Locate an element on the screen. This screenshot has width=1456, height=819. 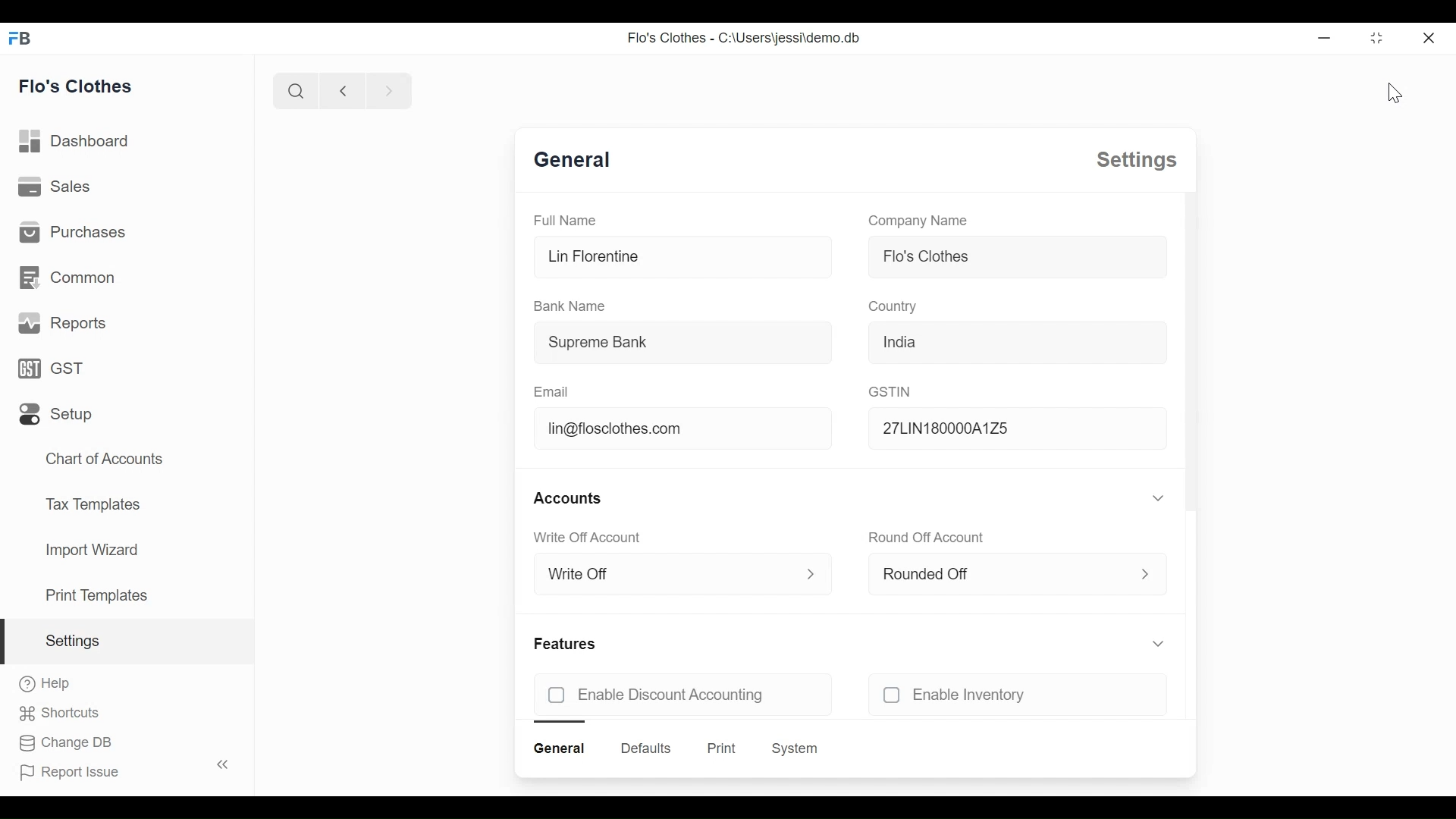
Expand is located at coordinates (1156, 642).